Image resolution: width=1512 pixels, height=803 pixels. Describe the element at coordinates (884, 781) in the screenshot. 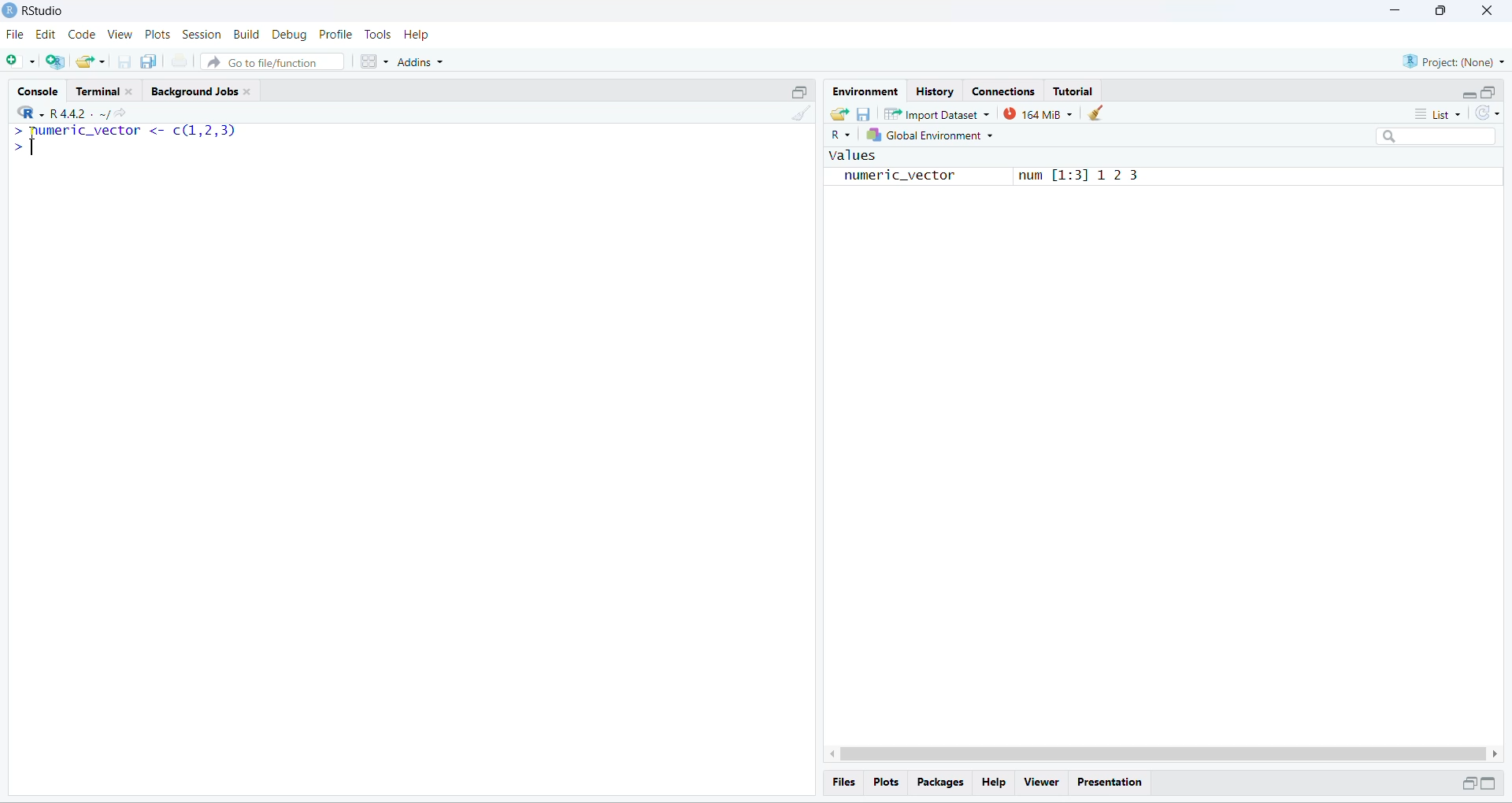

I see `Plots` at that location.